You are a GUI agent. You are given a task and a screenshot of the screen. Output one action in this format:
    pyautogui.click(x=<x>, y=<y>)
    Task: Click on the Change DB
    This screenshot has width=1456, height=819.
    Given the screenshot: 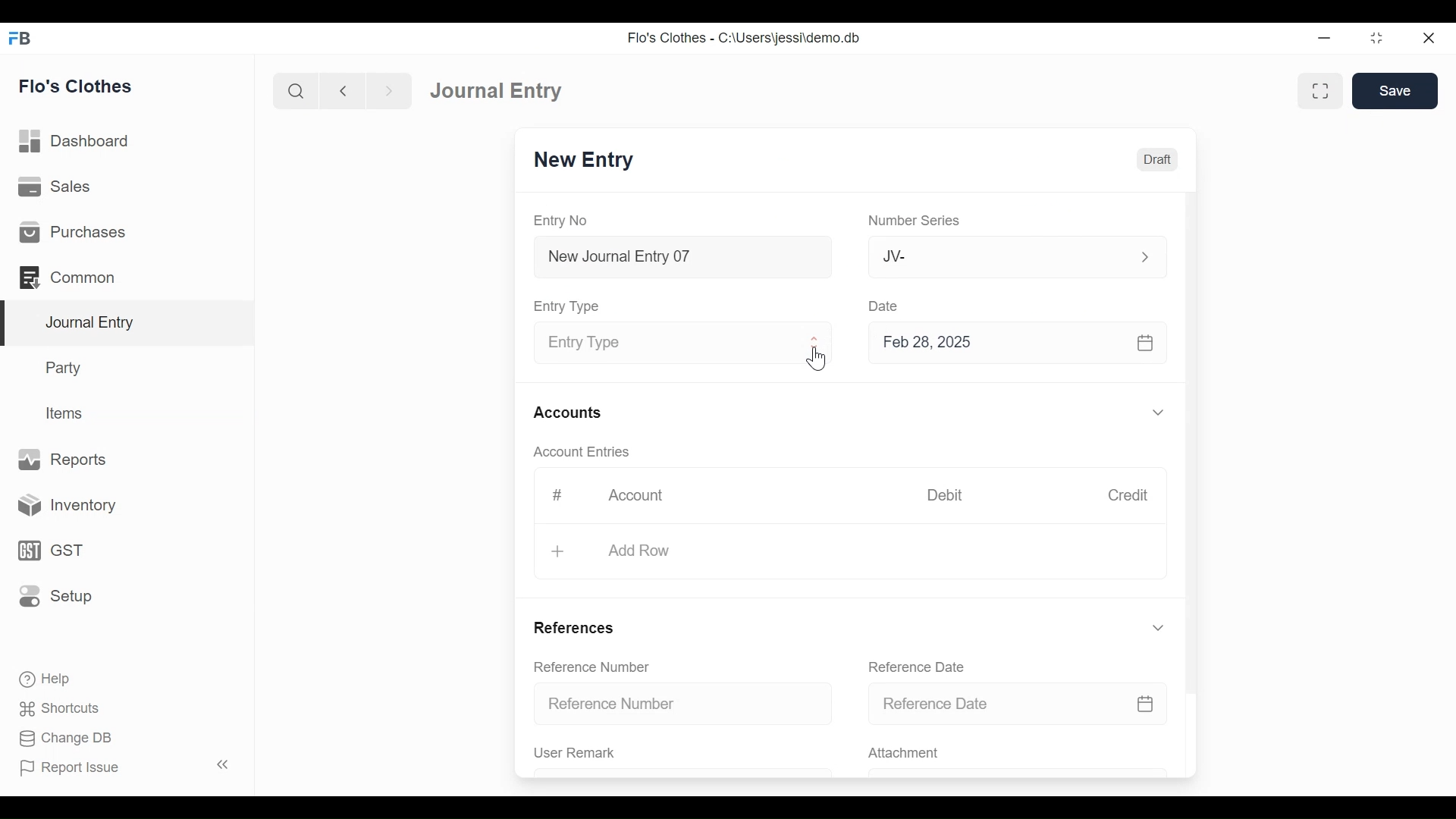 What is the action you would take?
    pyautogui.click(x=64, y=736)
    